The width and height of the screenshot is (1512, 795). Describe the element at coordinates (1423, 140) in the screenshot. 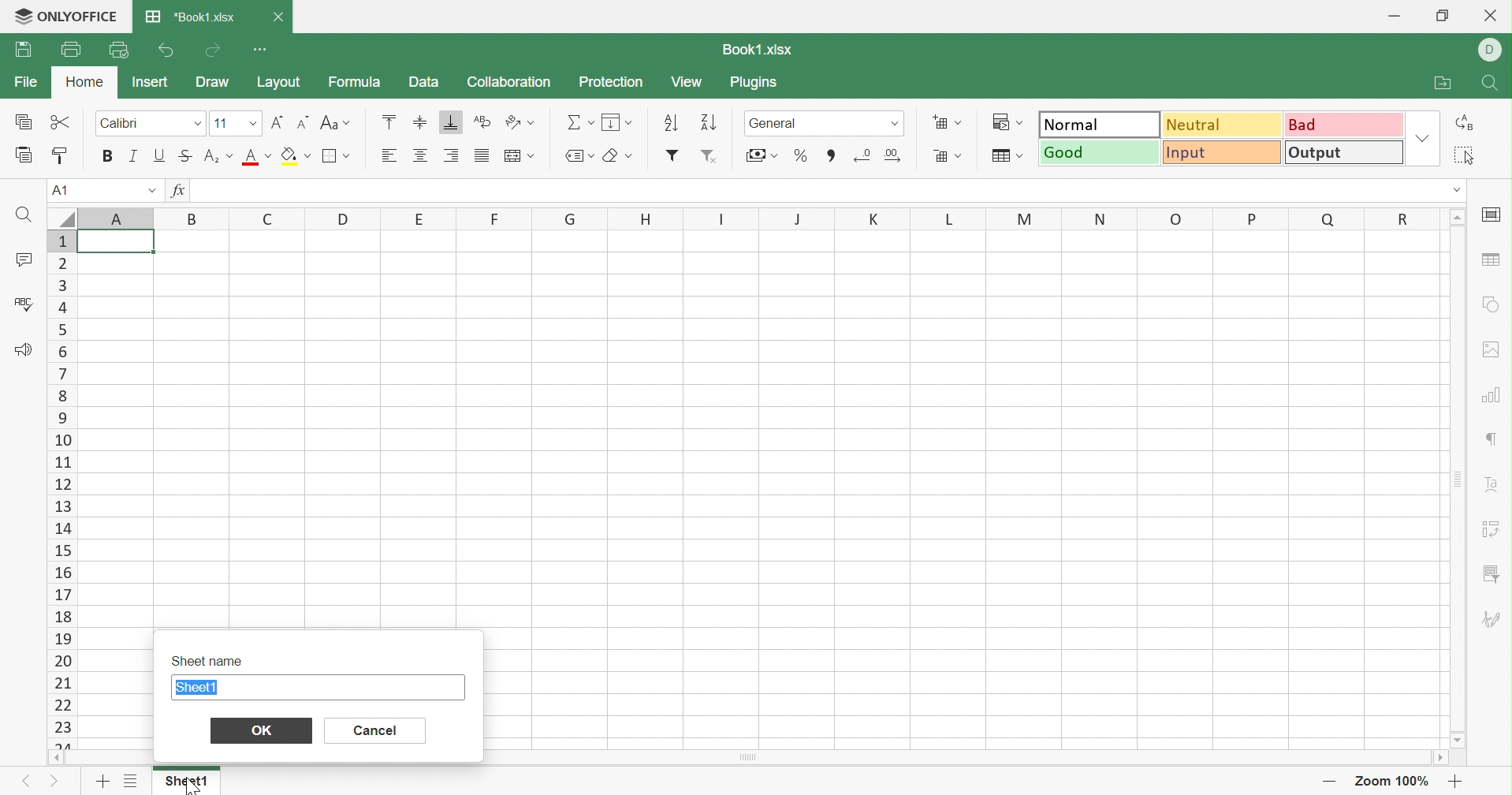

I see `Drop Down` at that location.